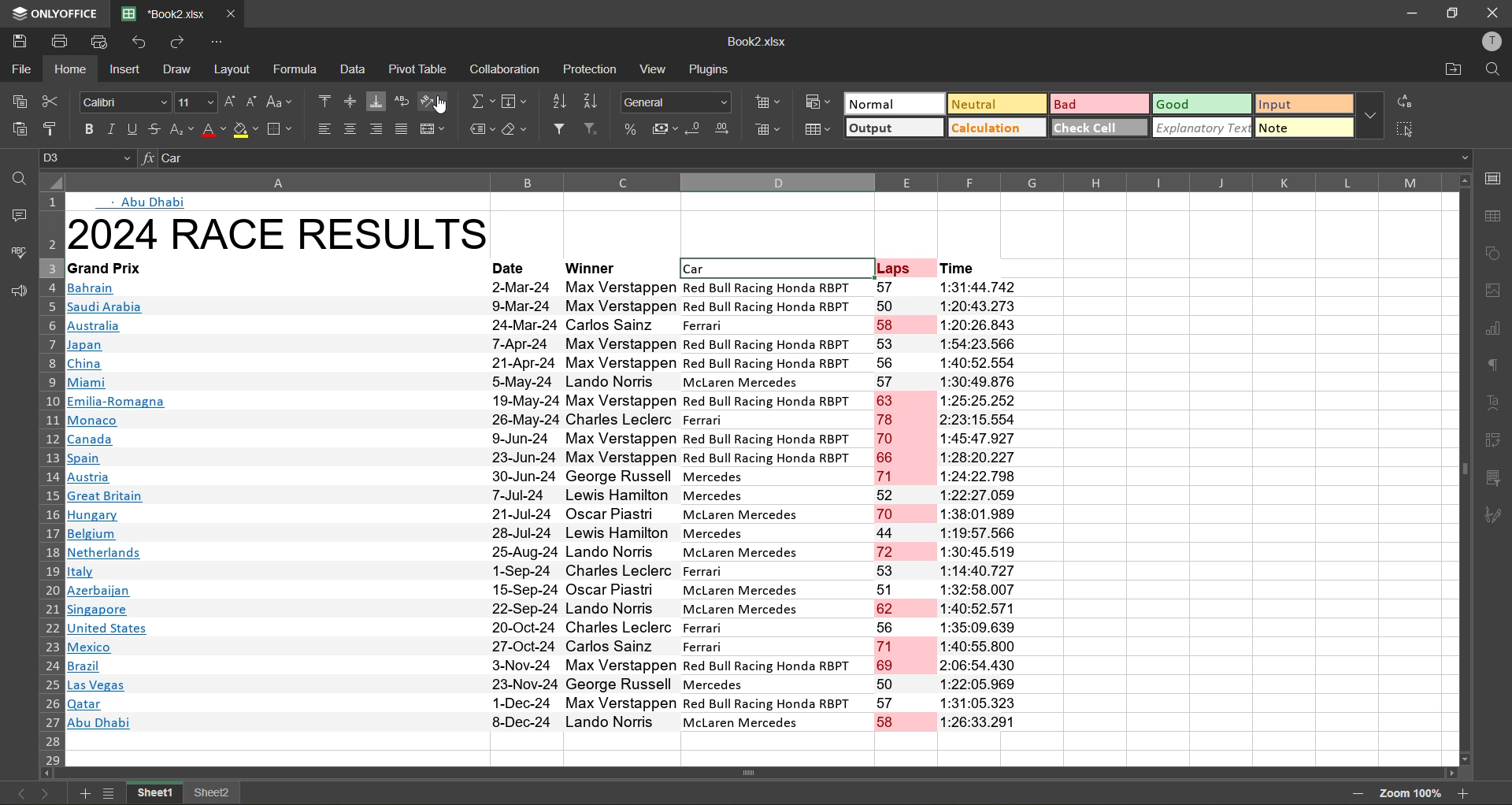 The height and width of the screenshot is (805, 1512). What do you see at coordinates (433, 129) in the screenshot?
I see `merge and center` at bounding box center [433, 129].